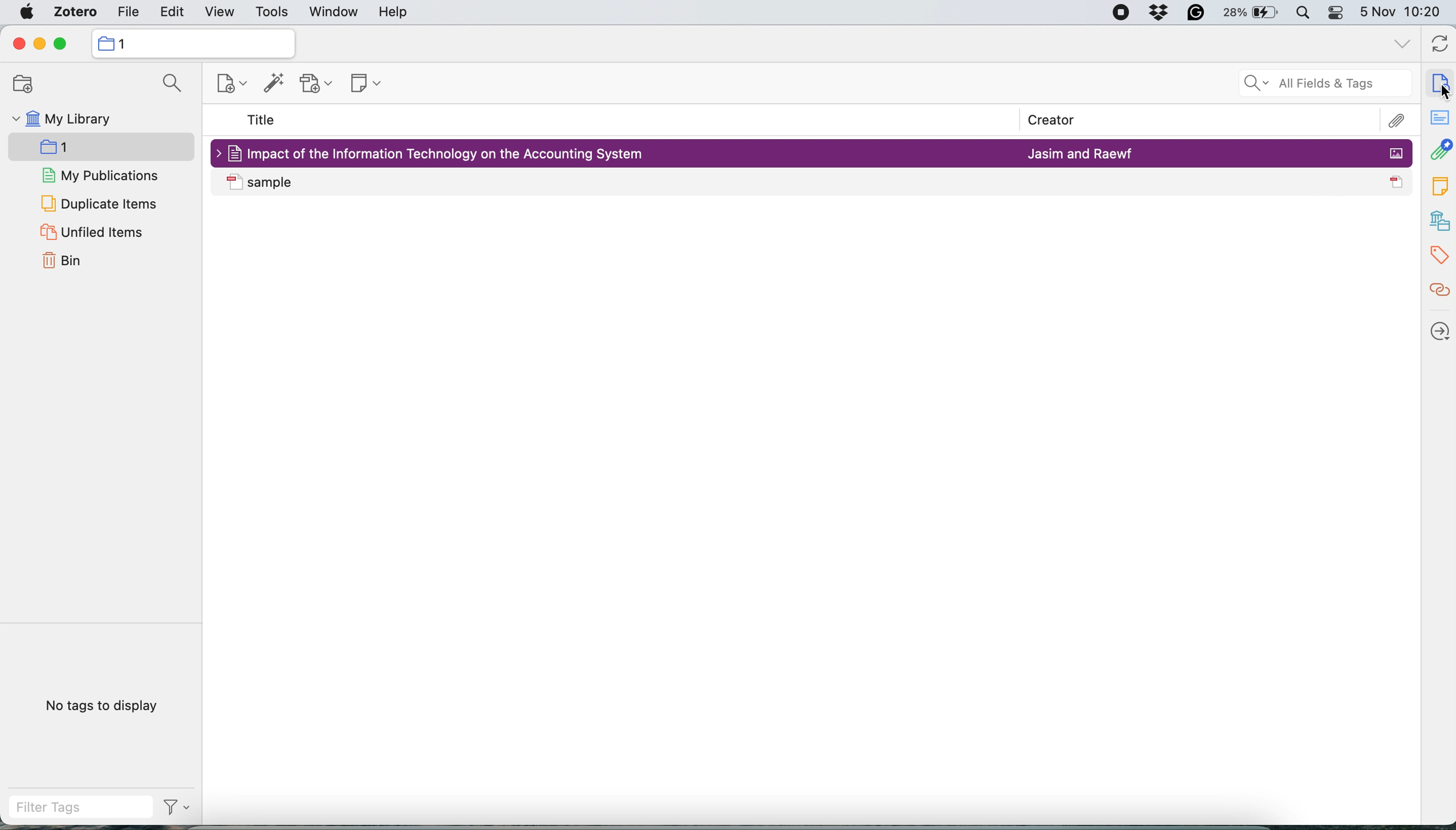 The height and width of the screenshot is (830, 1456). What do you see at coordinates (97, 205) in the screenshot?
I see `duplicate items` at bounding box center [97, 205].